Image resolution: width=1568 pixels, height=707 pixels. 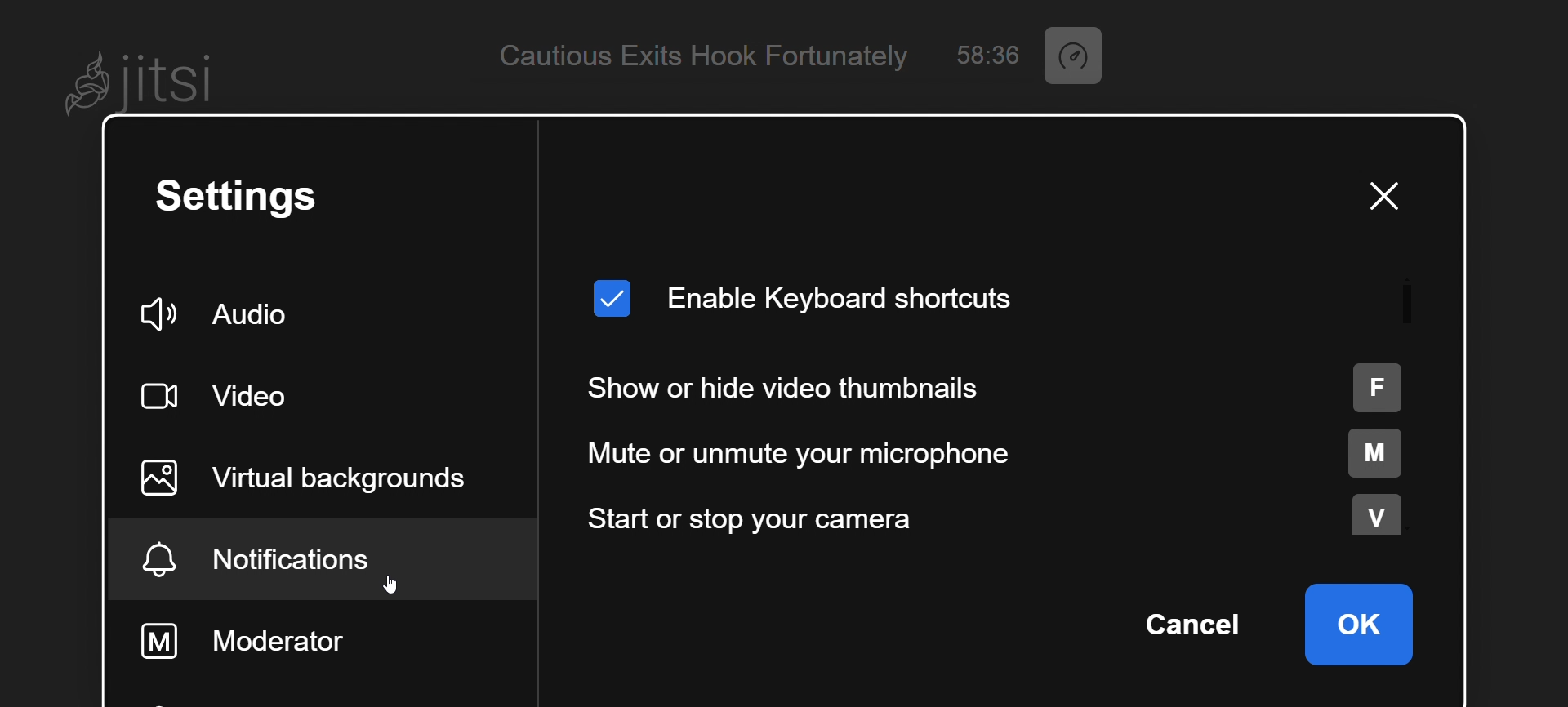 What do you see at coordinates (987, 56) in the screenshot?
I see `58:36` at bounding box center [987, 56].